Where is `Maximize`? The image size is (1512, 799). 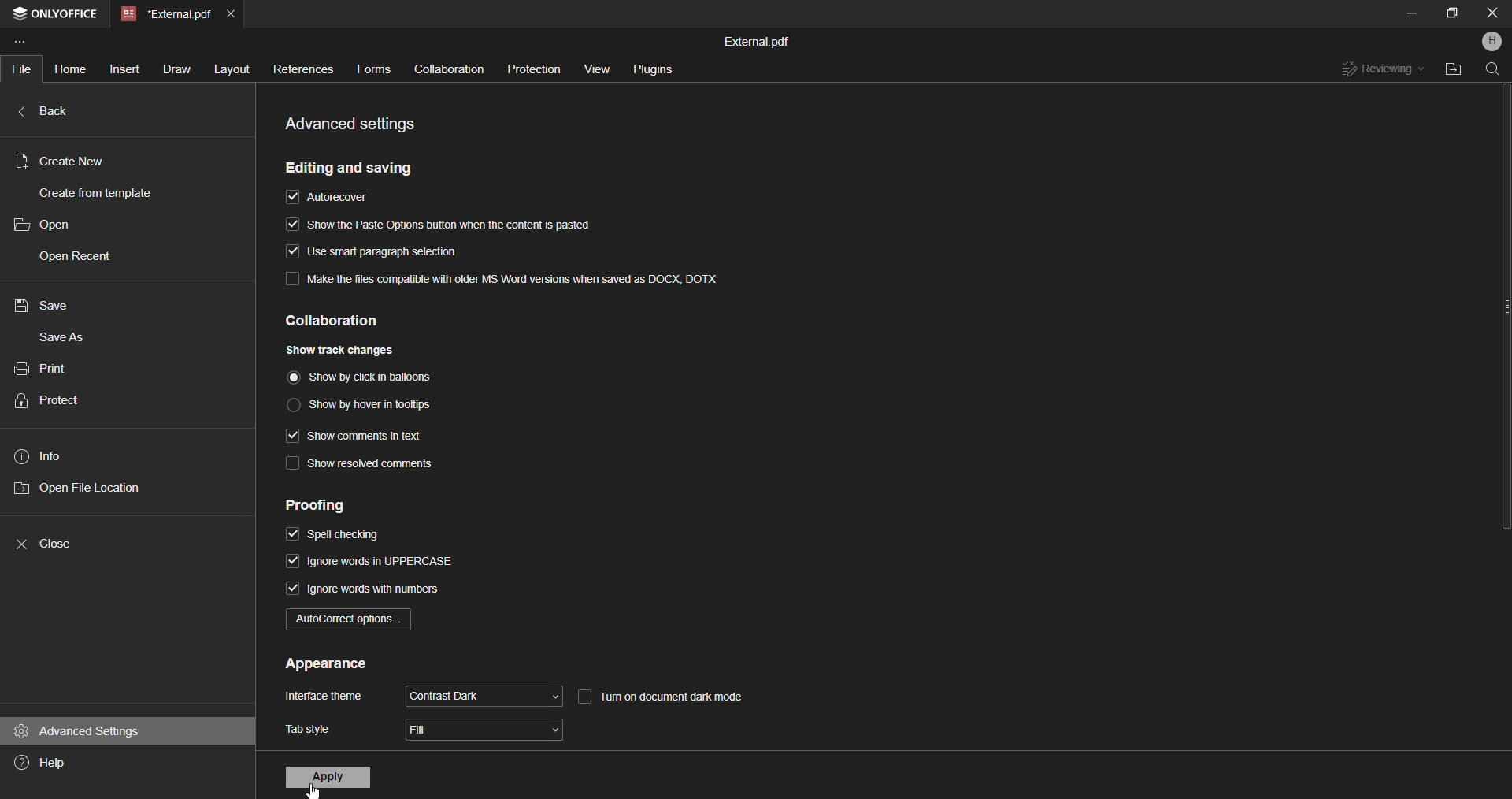 Maximize is located at coordinates (1451, 13).